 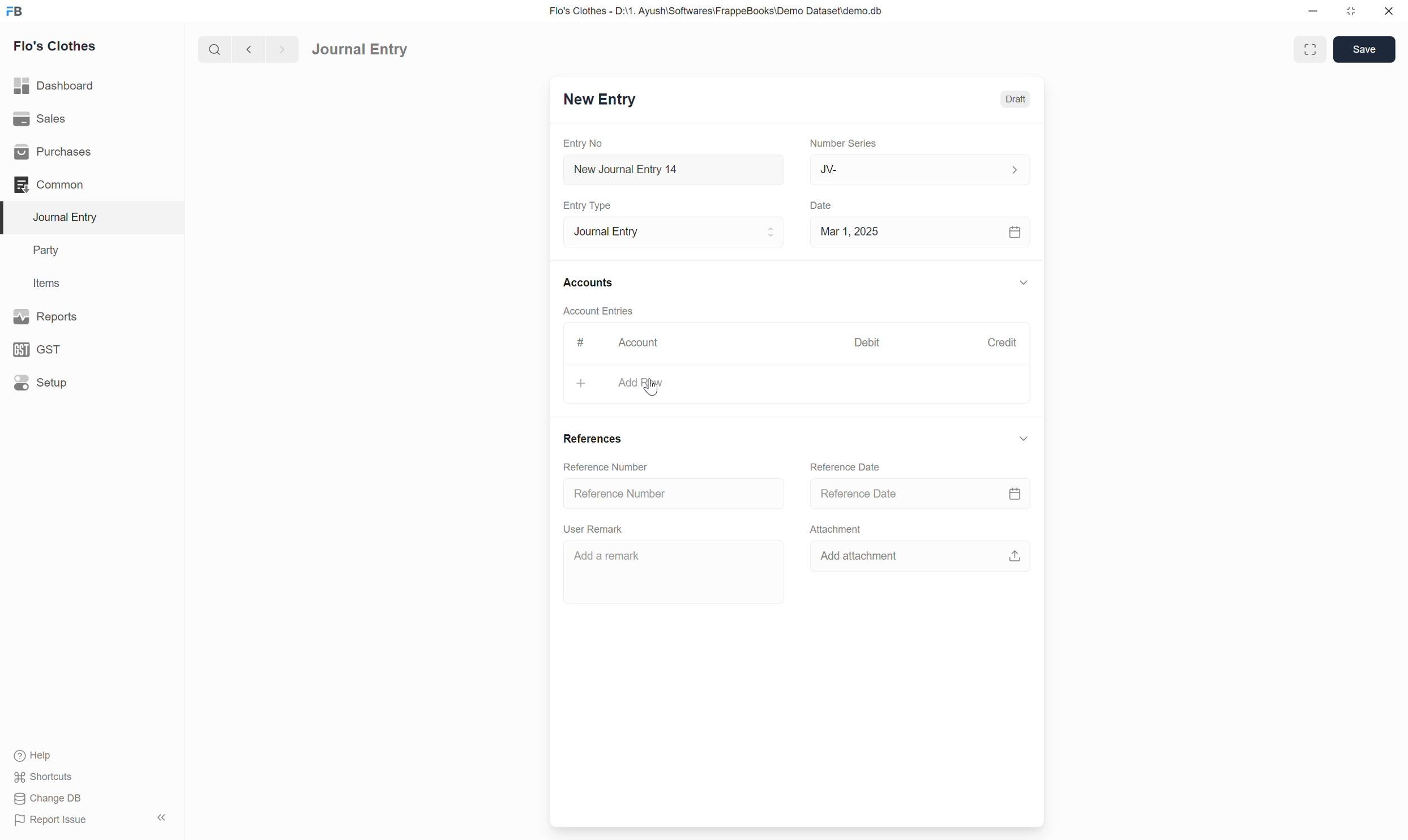 What do you see at coordinates (600, 98) in the screenshot?
I see `New Entry` at bounding box center [600, 98].